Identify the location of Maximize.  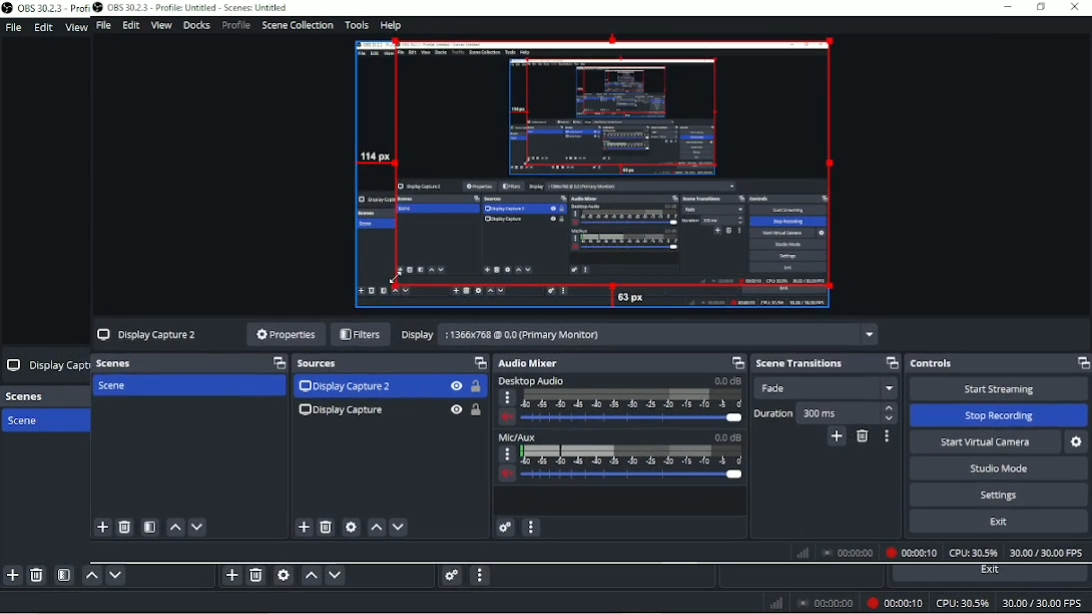
(1082, 364).